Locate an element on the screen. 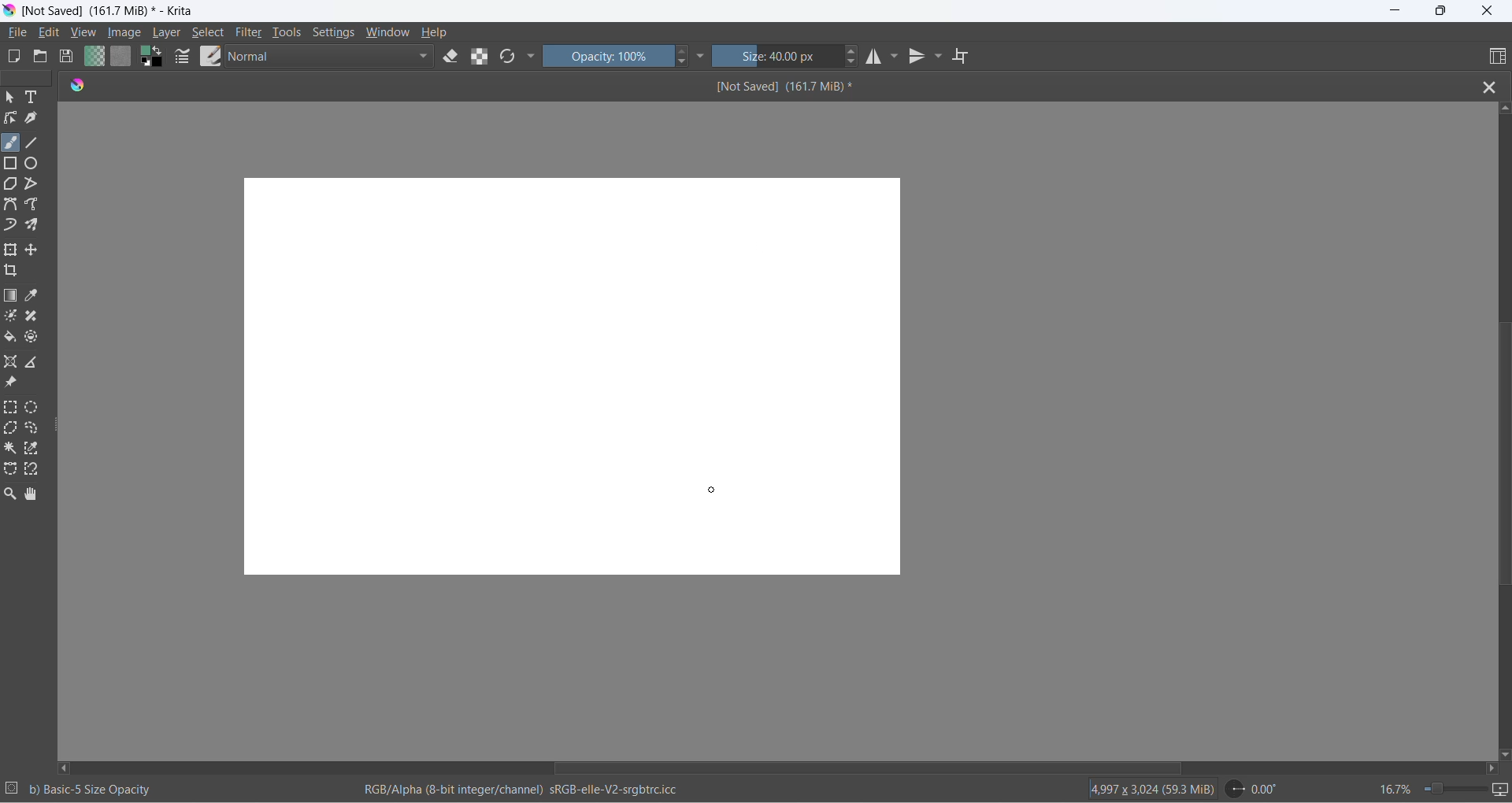 This screenshot has width=1512, height=803. rectangular selection tool is located at coordinates (12, 409).